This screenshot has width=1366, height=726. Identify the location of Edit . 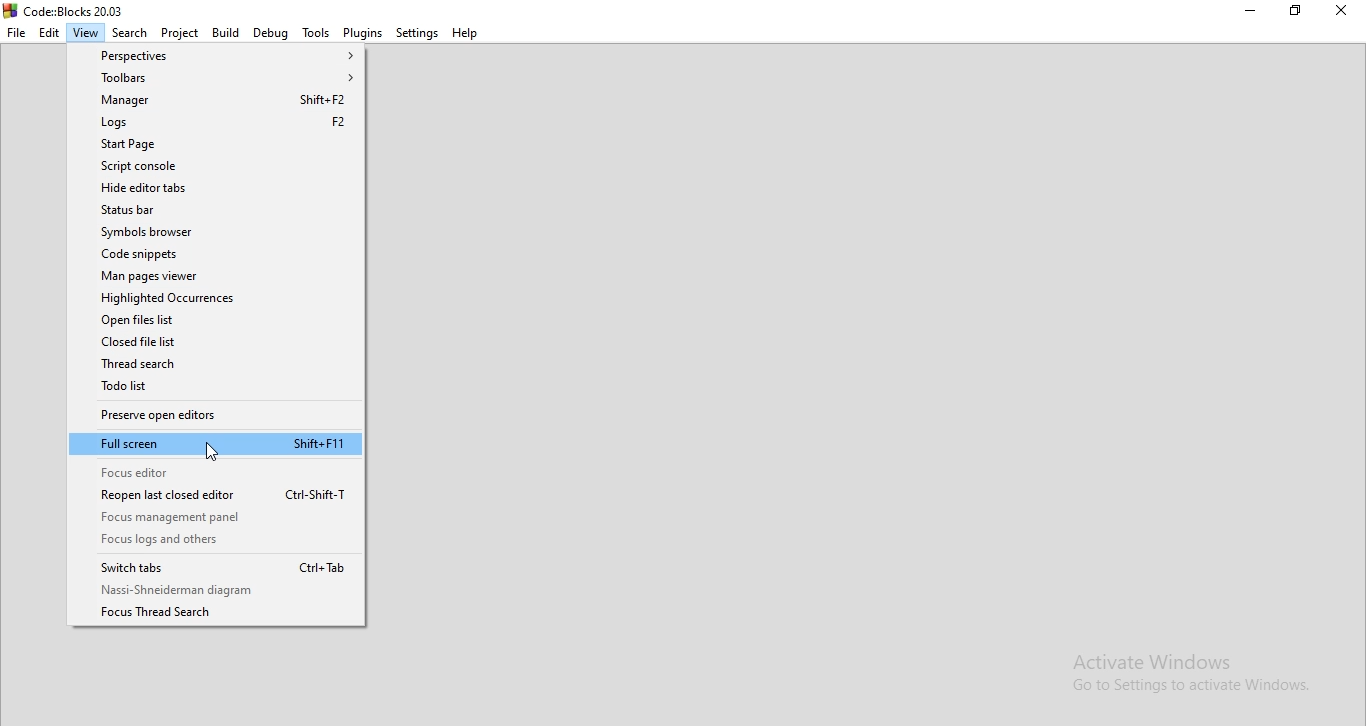
(49, 34).